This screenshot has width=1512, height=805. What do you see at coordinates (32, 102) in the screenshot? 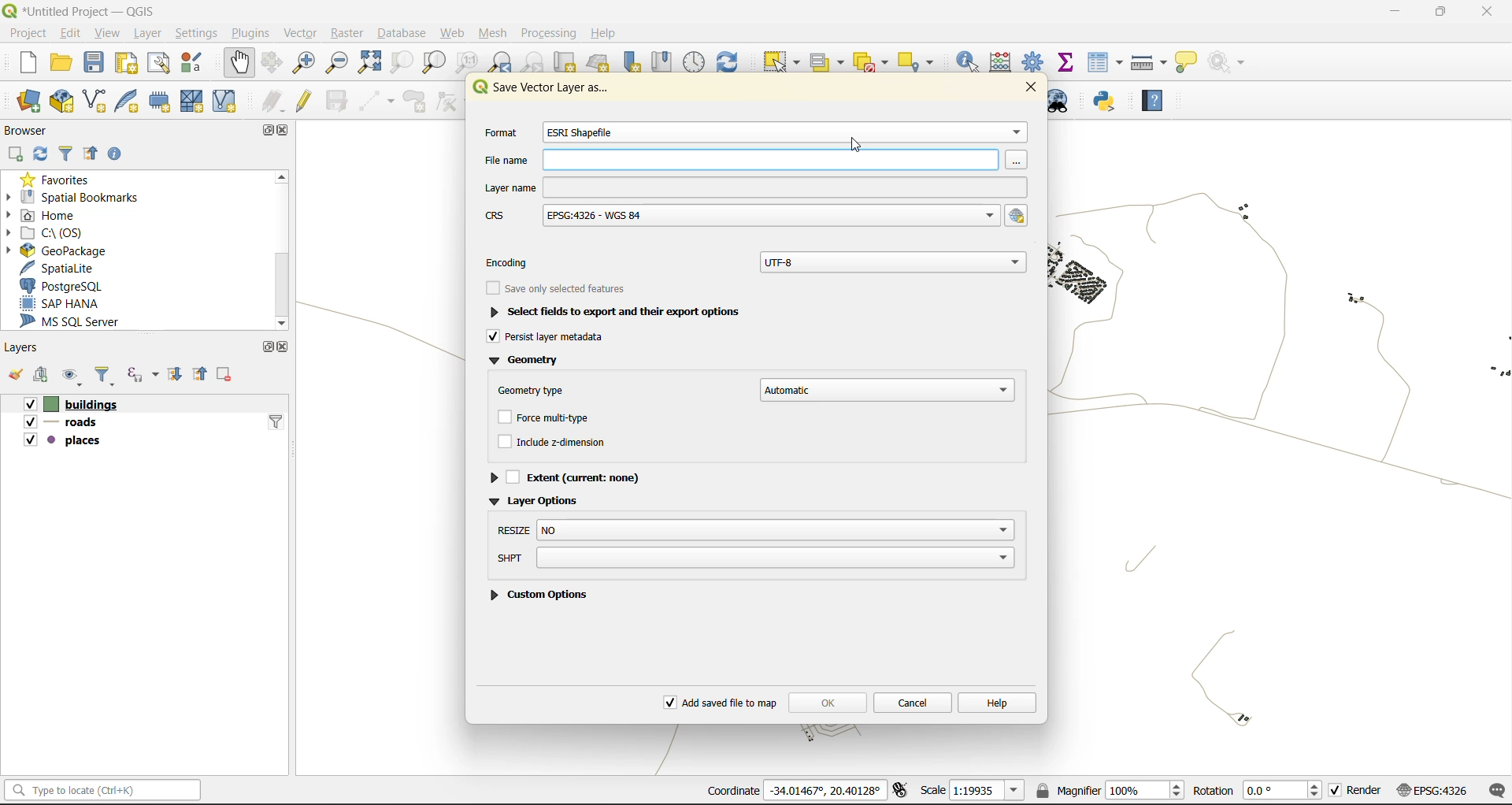
I see `open data source manager` at bounding box center [32, 102].